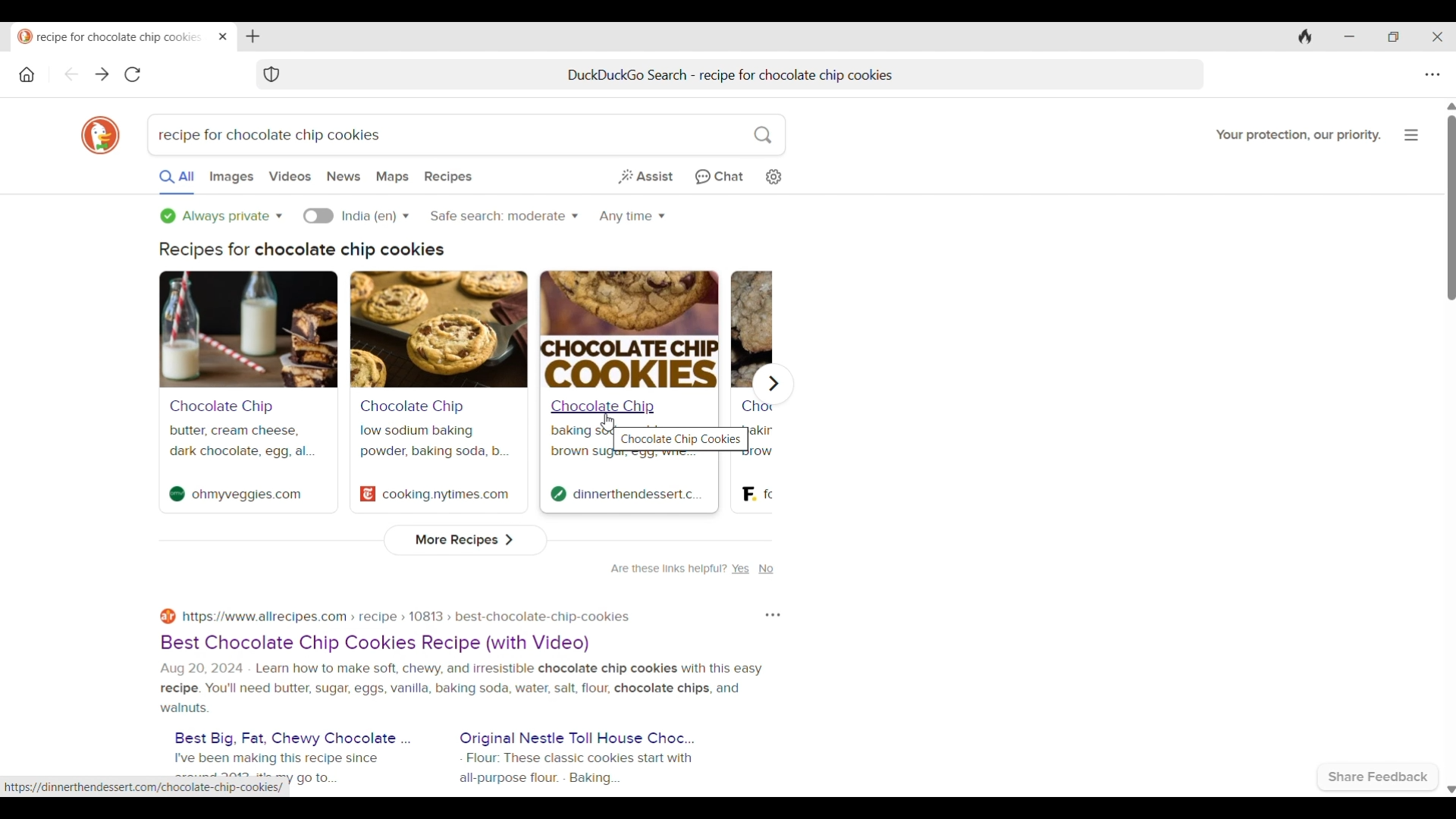 The width and height of the screenshot is (1456, 819). Describe the element at coordinates (1299, 136) in the screenshot. I see `Your protection, our priority.` at that location.